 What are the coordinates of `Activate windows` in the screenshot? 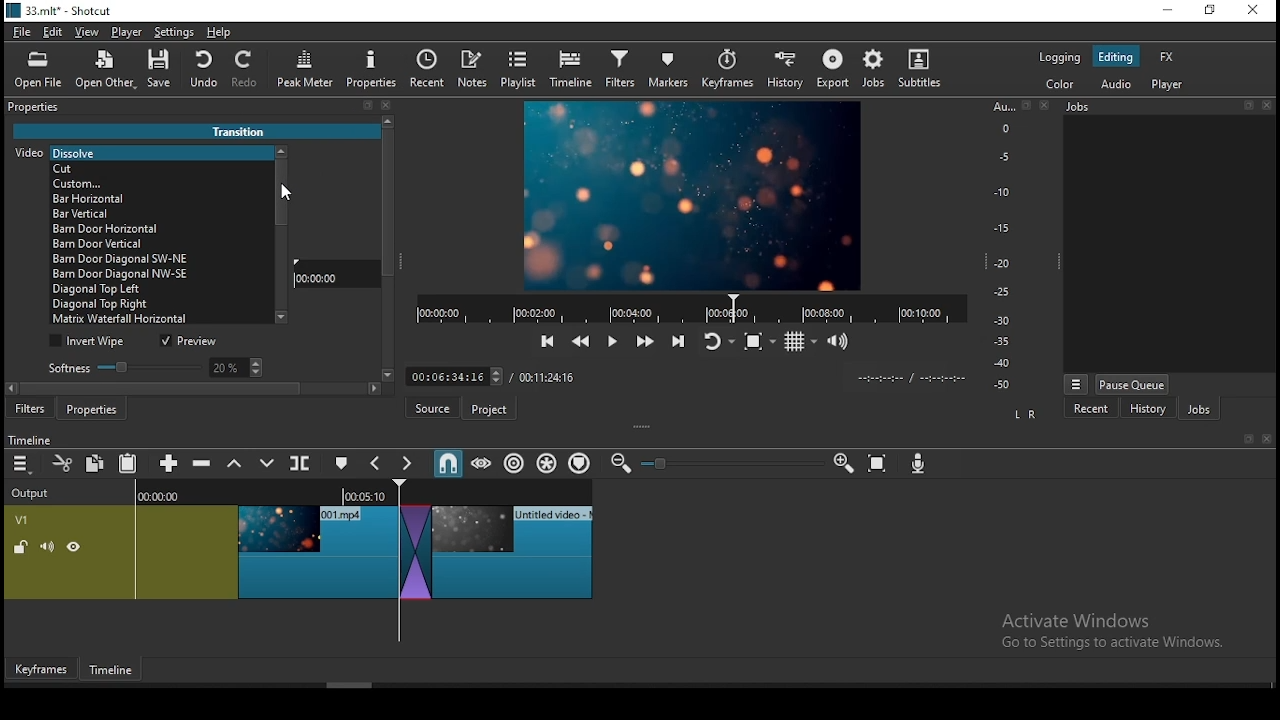 It's located at (1122, 630).